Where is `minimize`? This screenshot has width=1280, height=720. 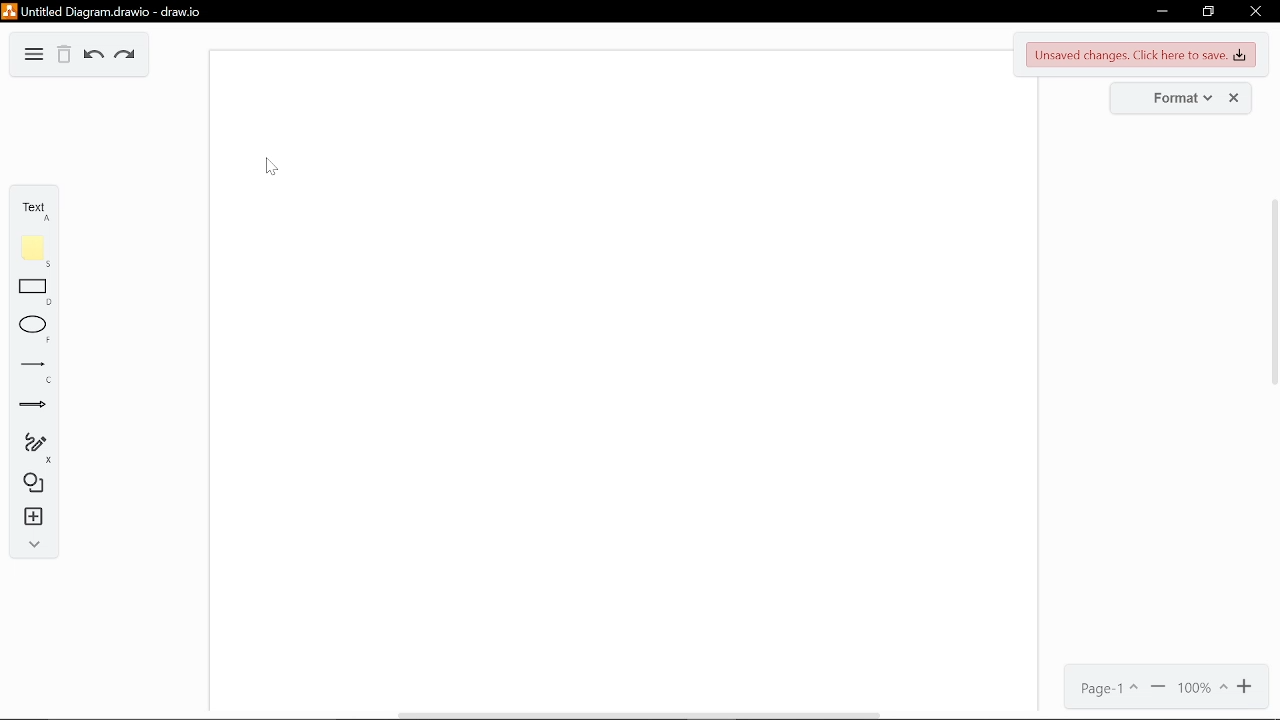
minimize is located at coordinates (1161, 9).